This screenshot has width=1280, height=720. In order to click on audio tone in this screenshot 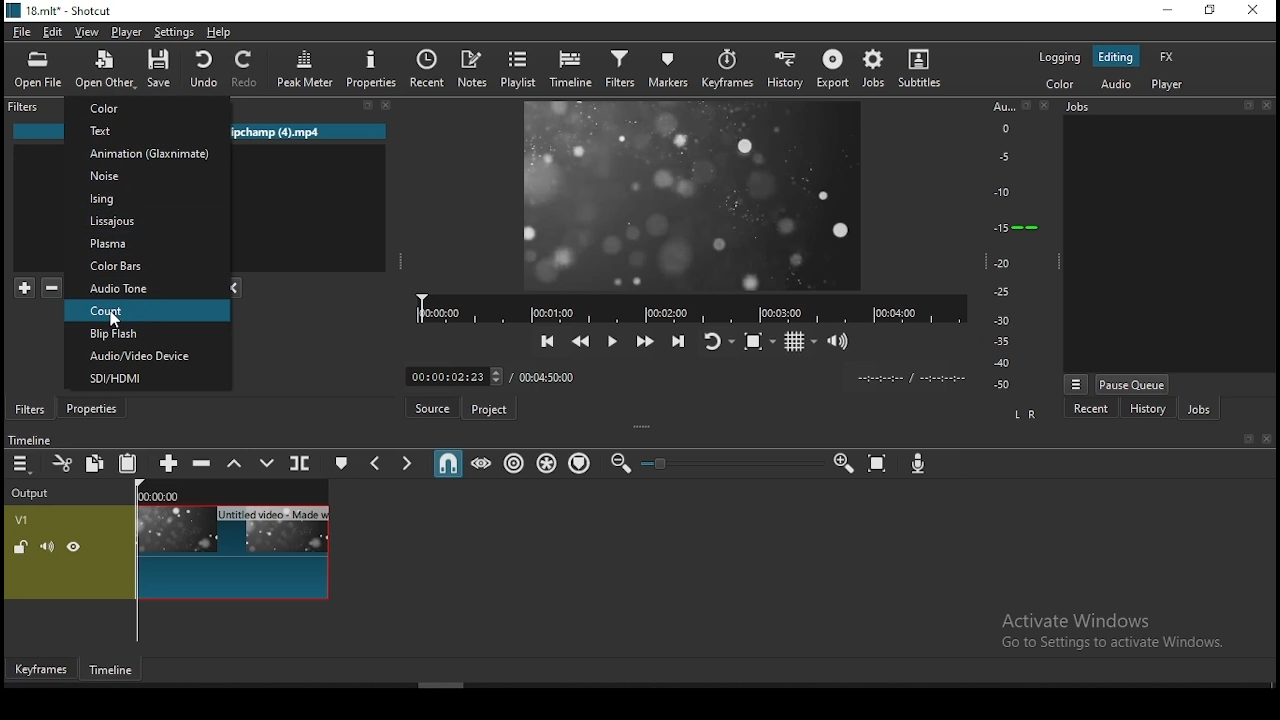, I will do `click(147, 289)`.